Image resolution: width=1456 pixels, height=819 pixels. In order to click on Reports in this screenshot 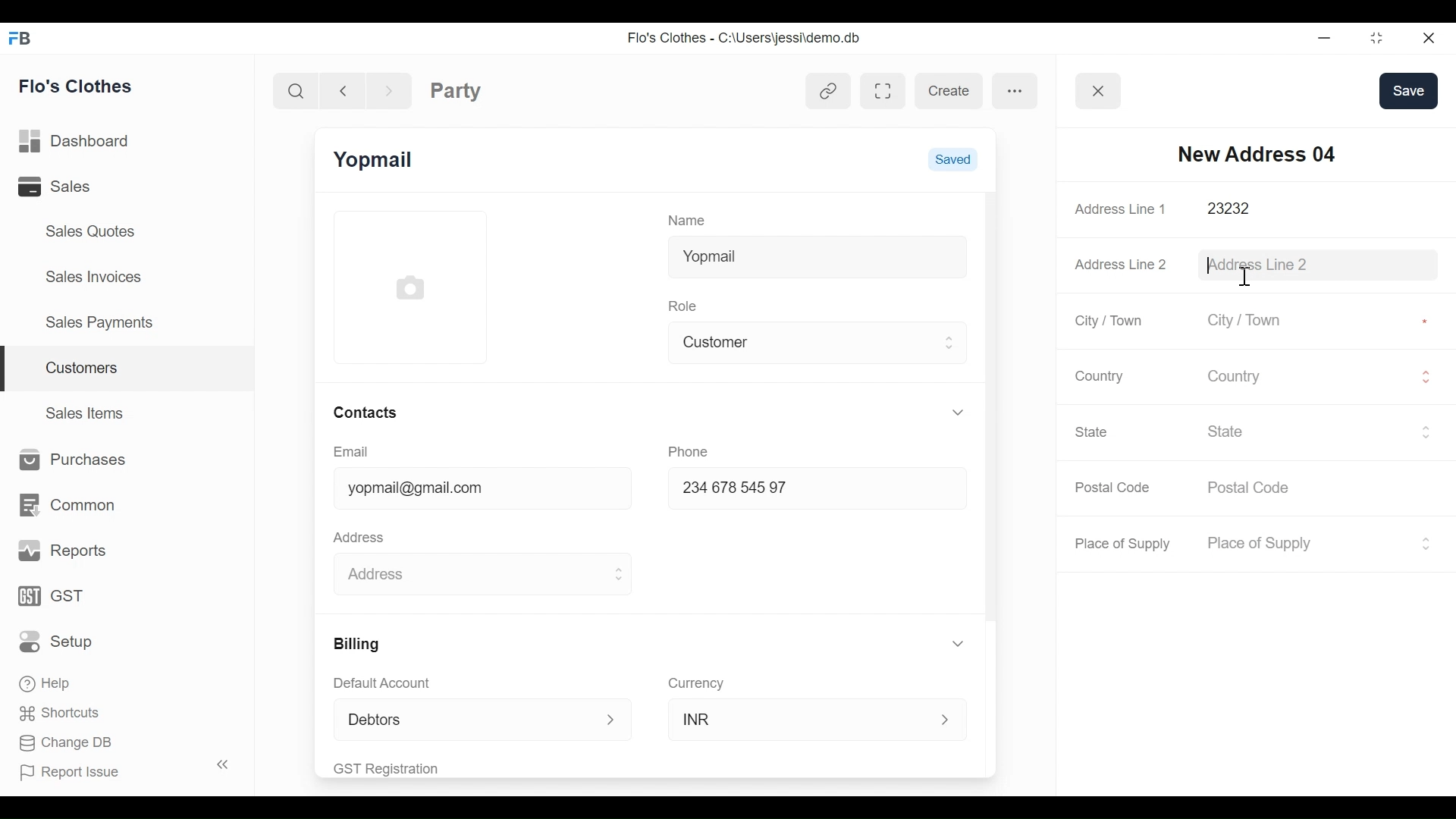, I will do `click(64, 551)`.